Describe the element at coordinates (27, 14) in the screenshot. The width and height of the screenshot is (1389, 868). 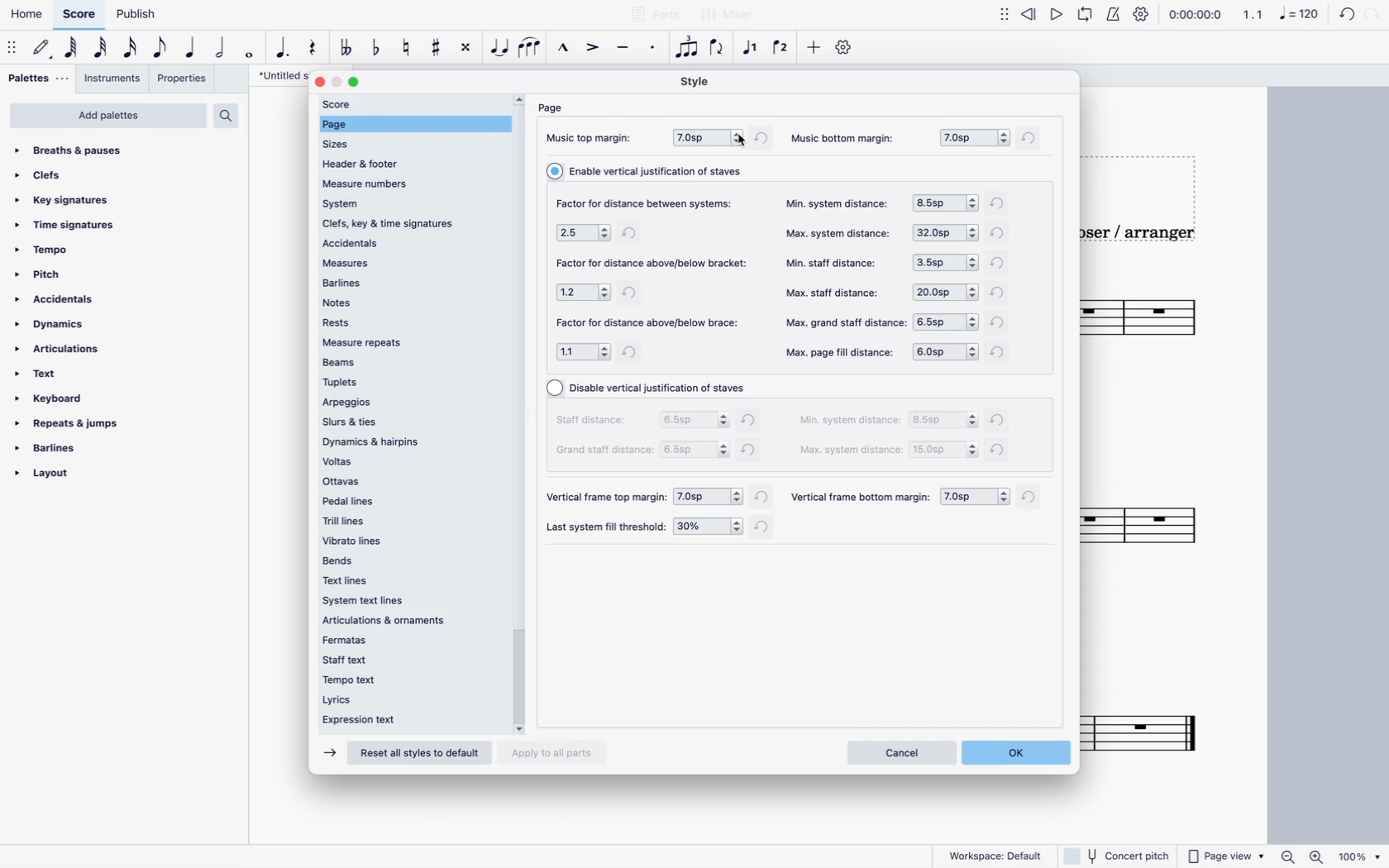
I see `home` at that location.